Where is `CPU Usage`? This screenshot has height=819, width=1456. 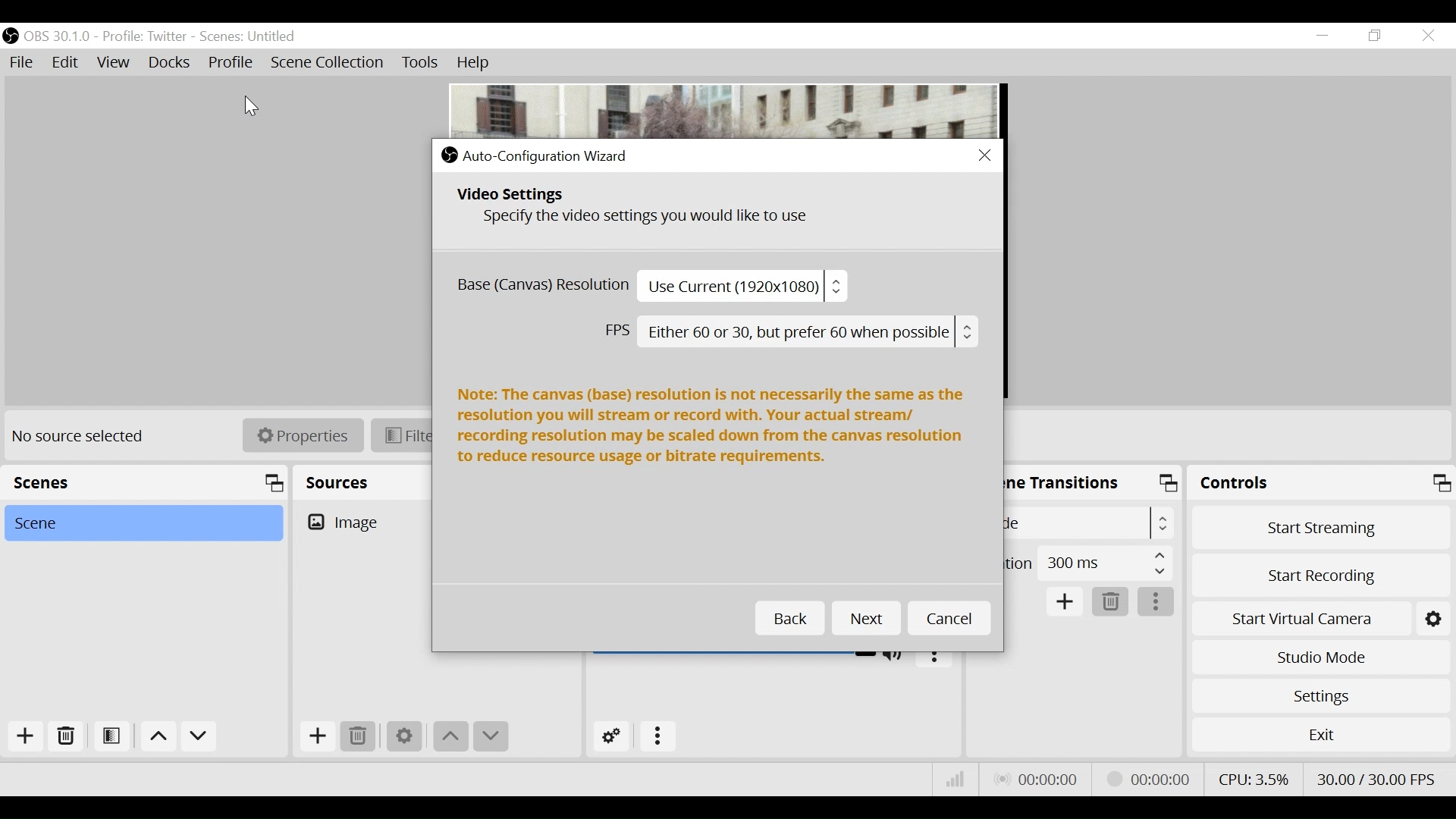
CPU Usage is located at coordinates (1255, 777).